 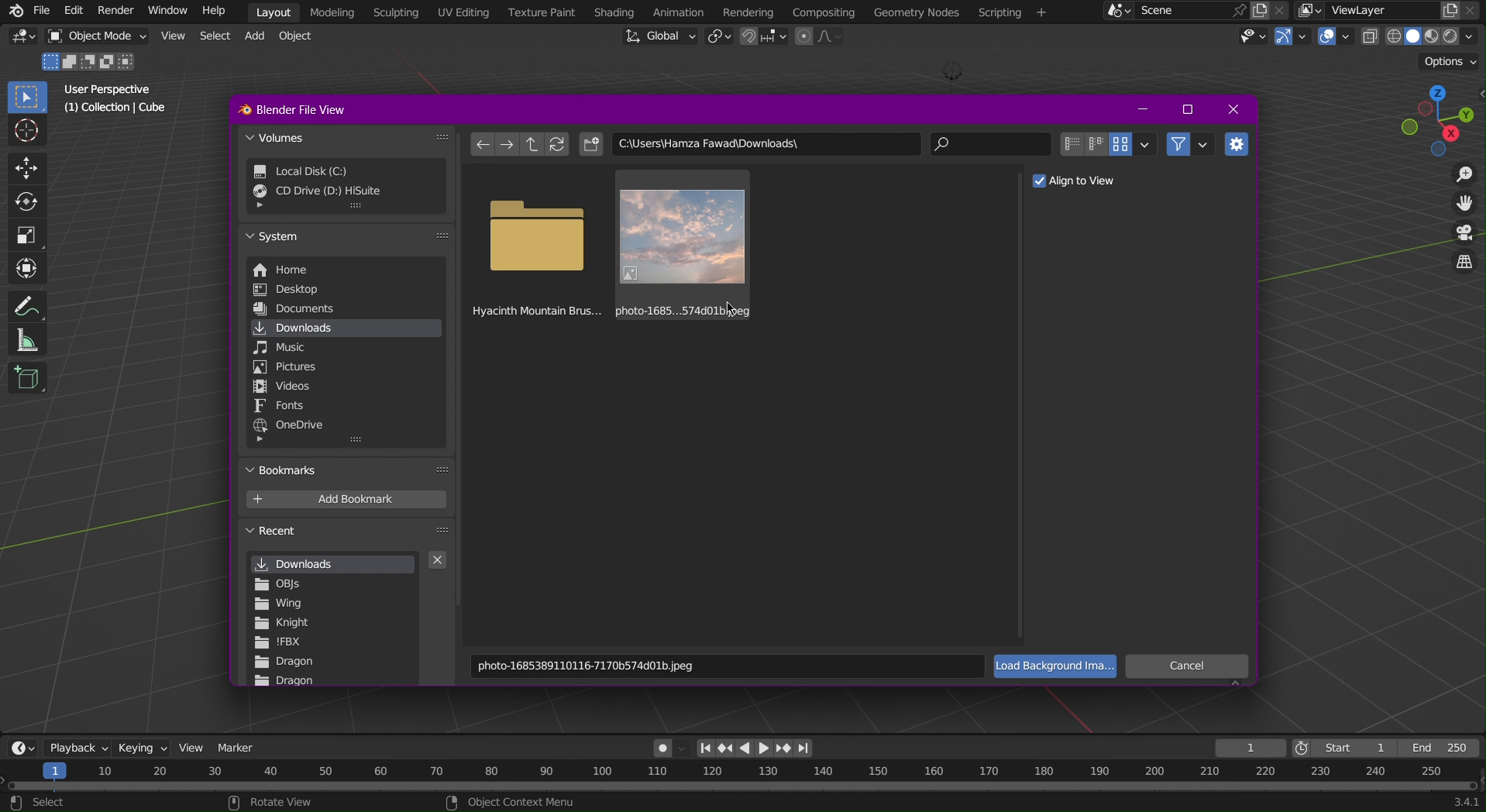 I want to click on Dragon, so click(x=286, y=682).